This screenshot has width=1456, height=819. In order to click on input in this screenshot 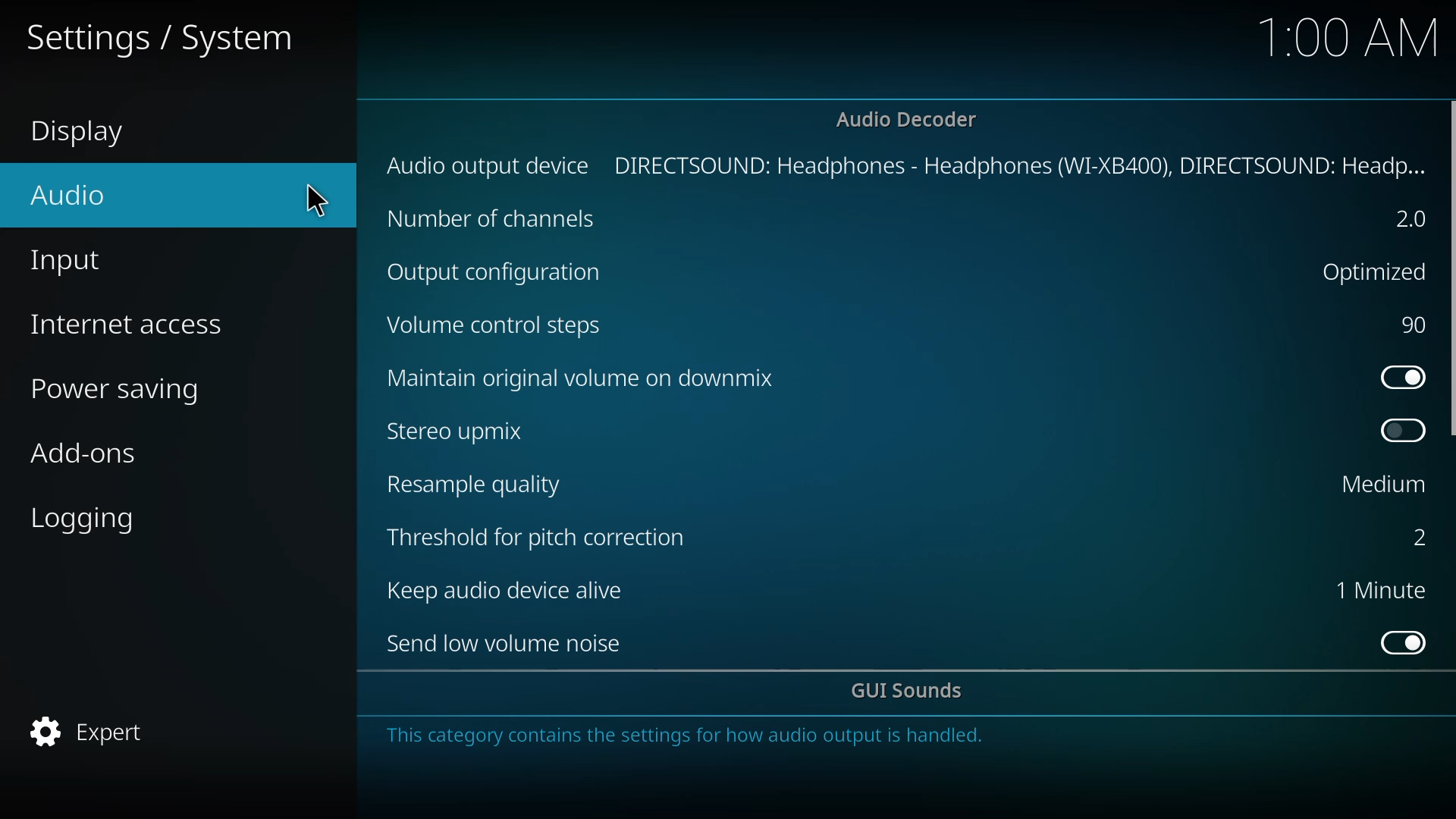, I will do `click(76, 257)`.